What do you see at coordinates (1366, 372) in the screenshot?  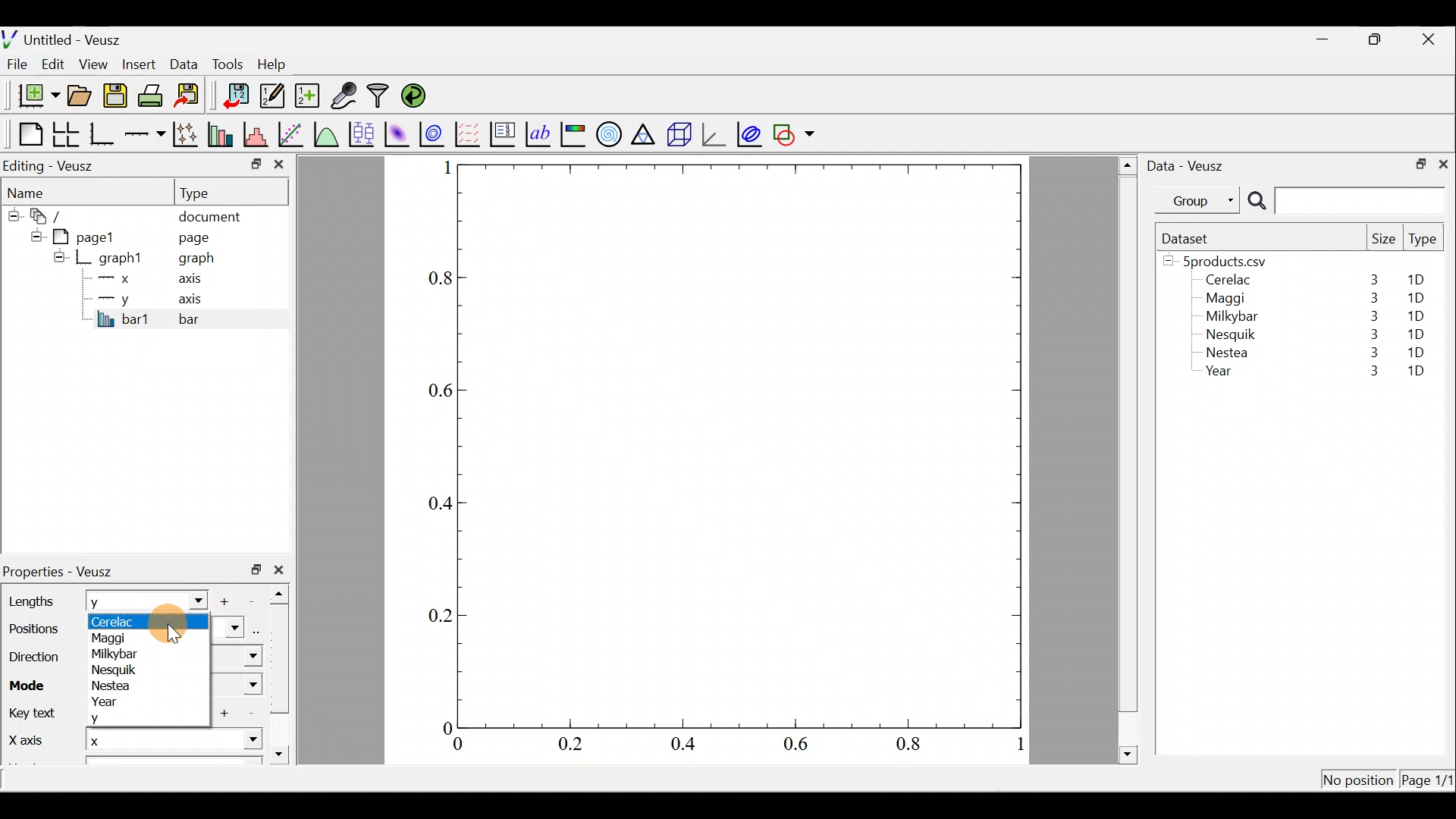 I see `3` at bounding box center [1366, 372].